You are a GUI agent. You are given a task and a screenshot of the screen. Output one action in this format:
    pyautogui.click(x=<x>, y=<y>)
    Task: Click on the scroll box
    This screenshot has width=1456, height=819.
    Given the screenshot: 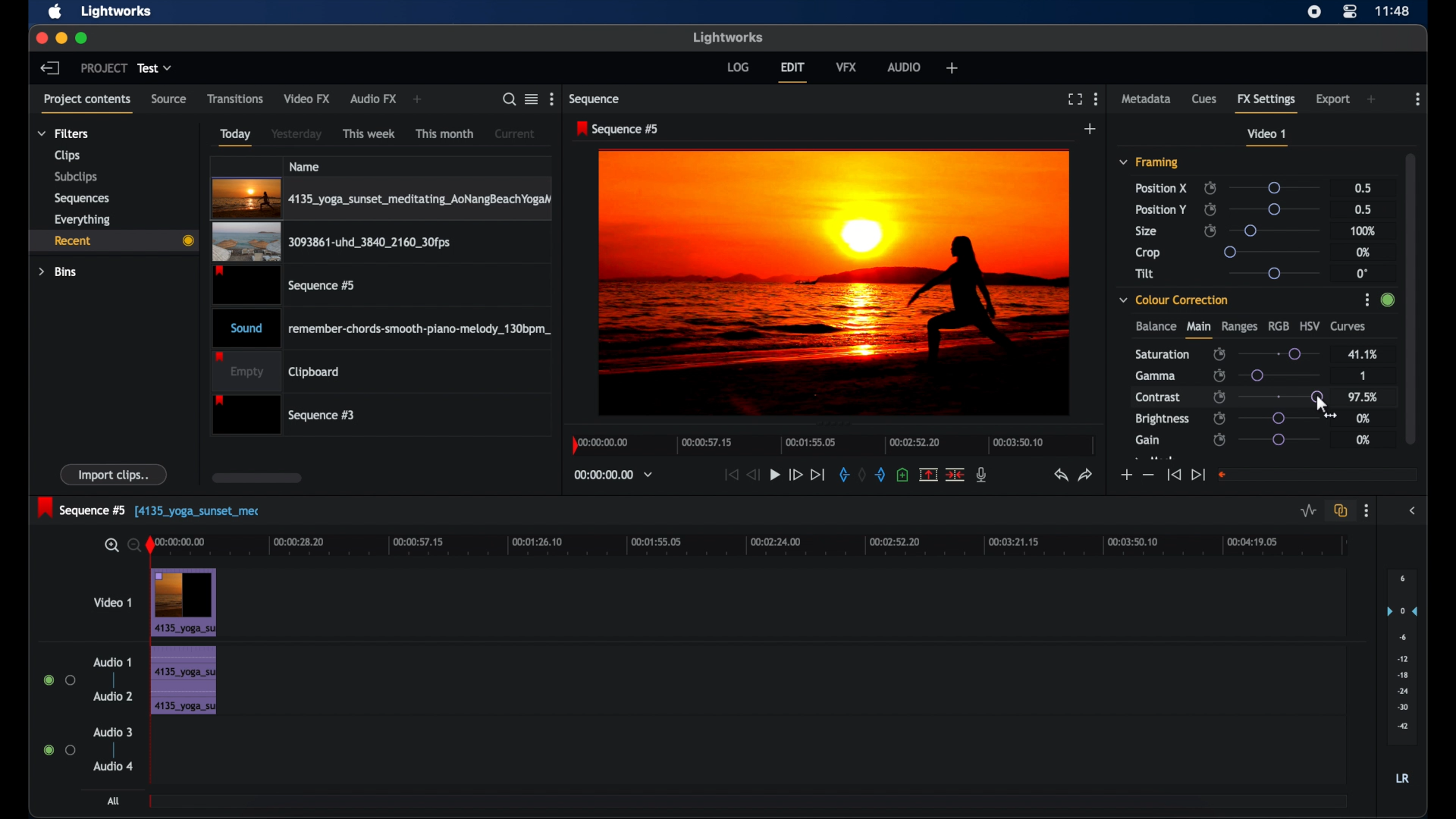 What is the action you would take?
    pyautogui.click(x=256, y=478)
    